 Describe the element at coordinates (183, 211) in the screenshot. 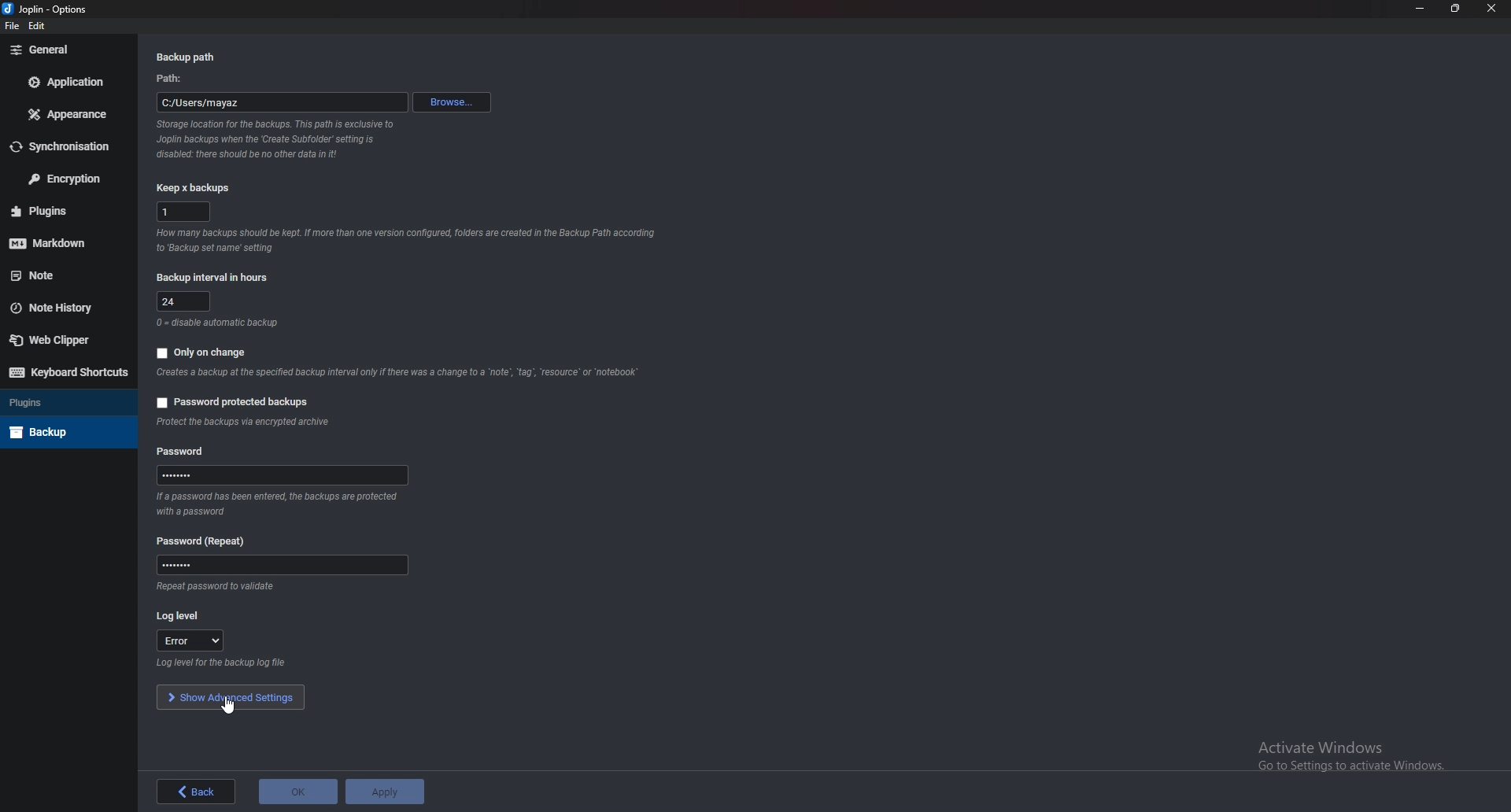

I see `1` at that location.